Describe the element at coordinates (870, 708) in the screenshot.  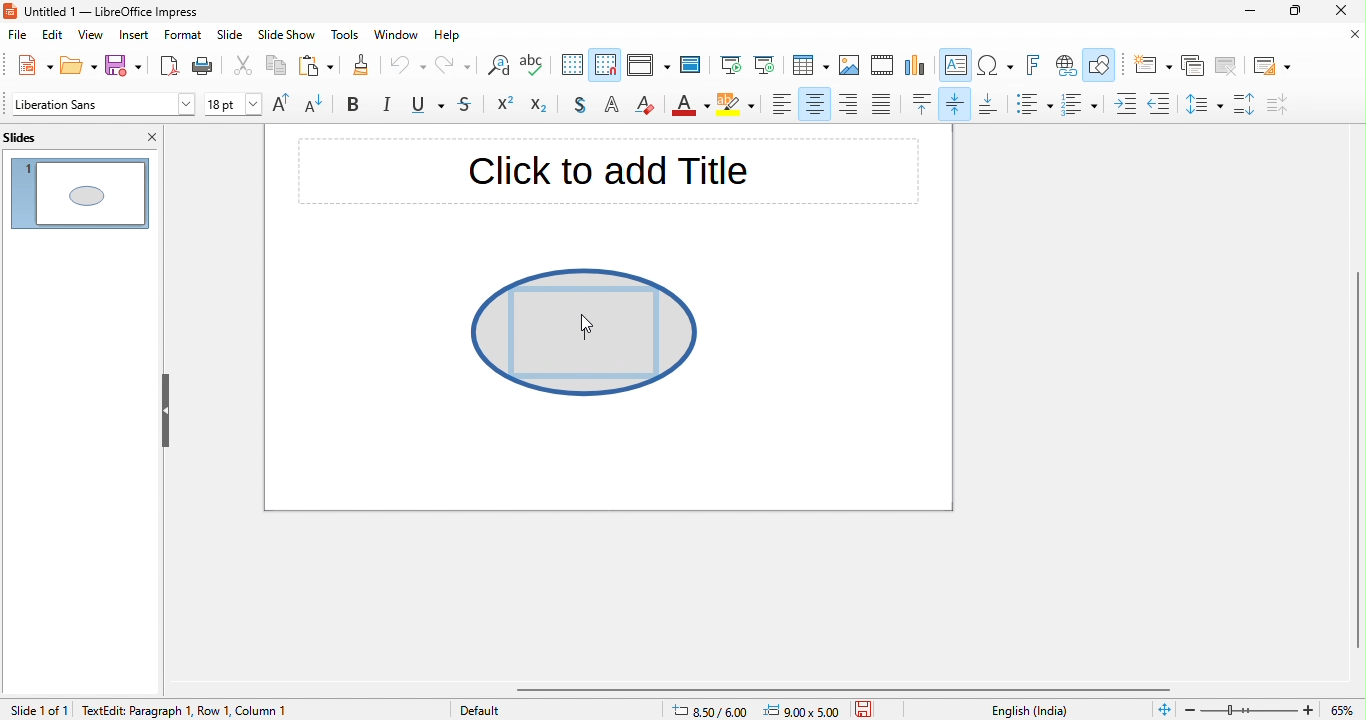
I see `save the document` at that location.